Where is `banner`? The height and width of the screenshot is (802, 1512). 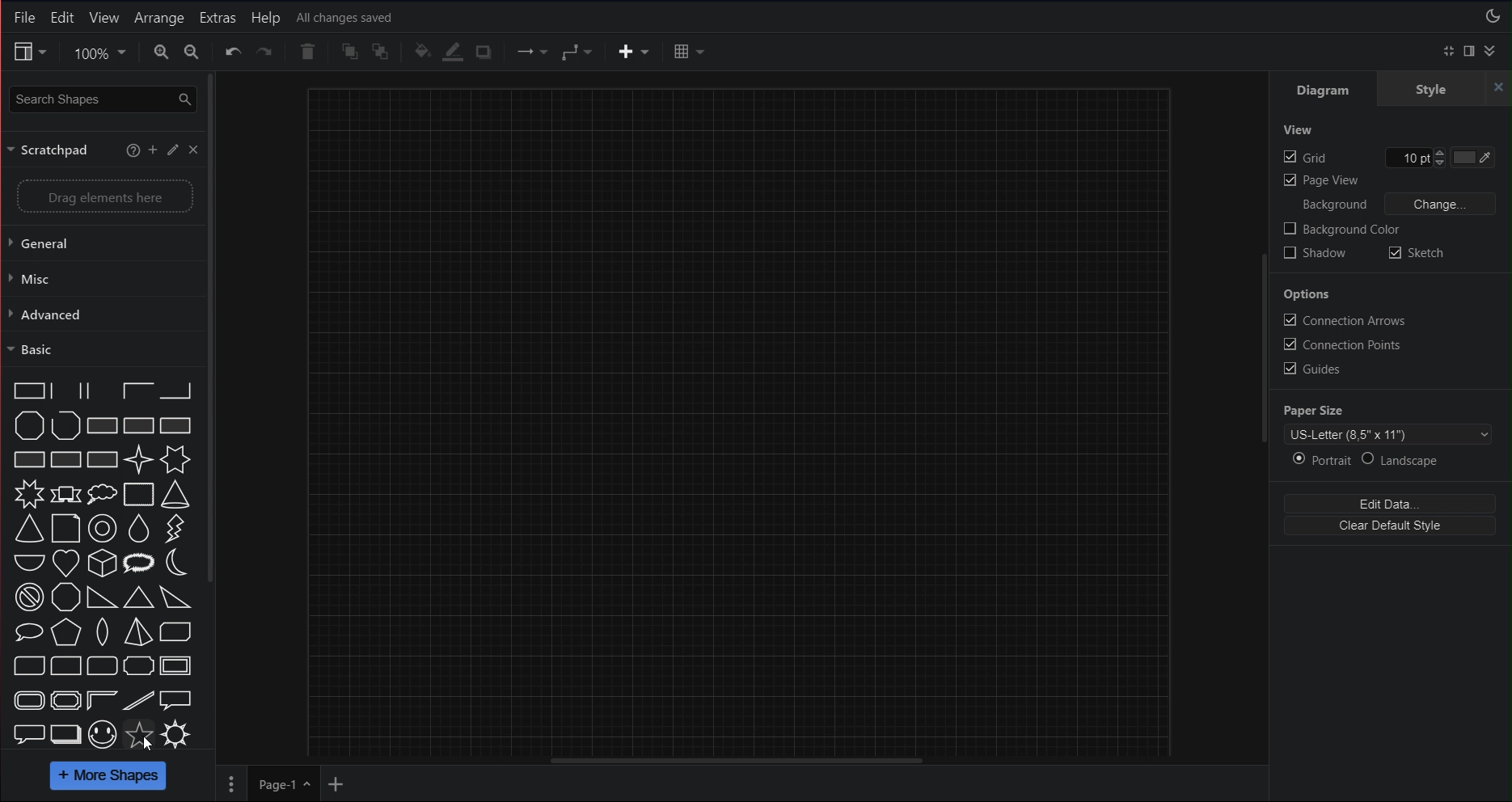
banner is located at coordinates (65, 495).